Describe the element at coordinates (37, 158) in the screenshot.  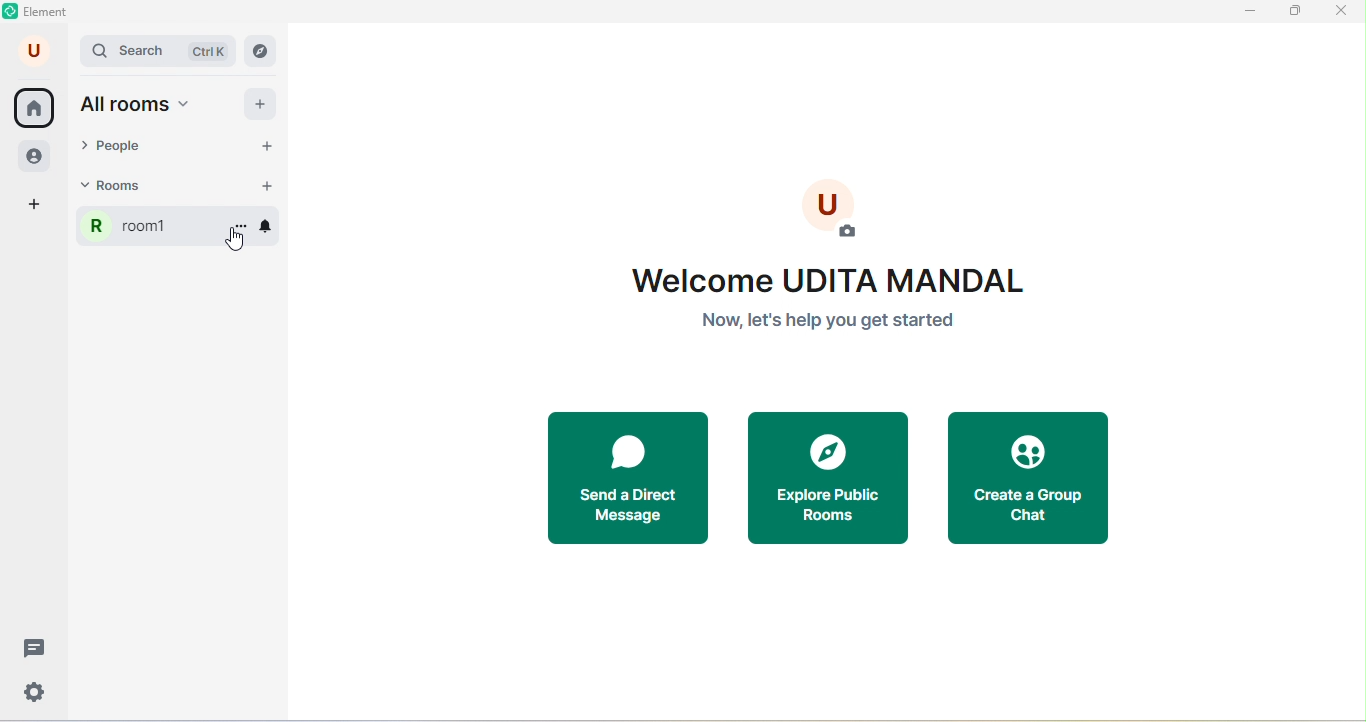
I see `people` at that location.